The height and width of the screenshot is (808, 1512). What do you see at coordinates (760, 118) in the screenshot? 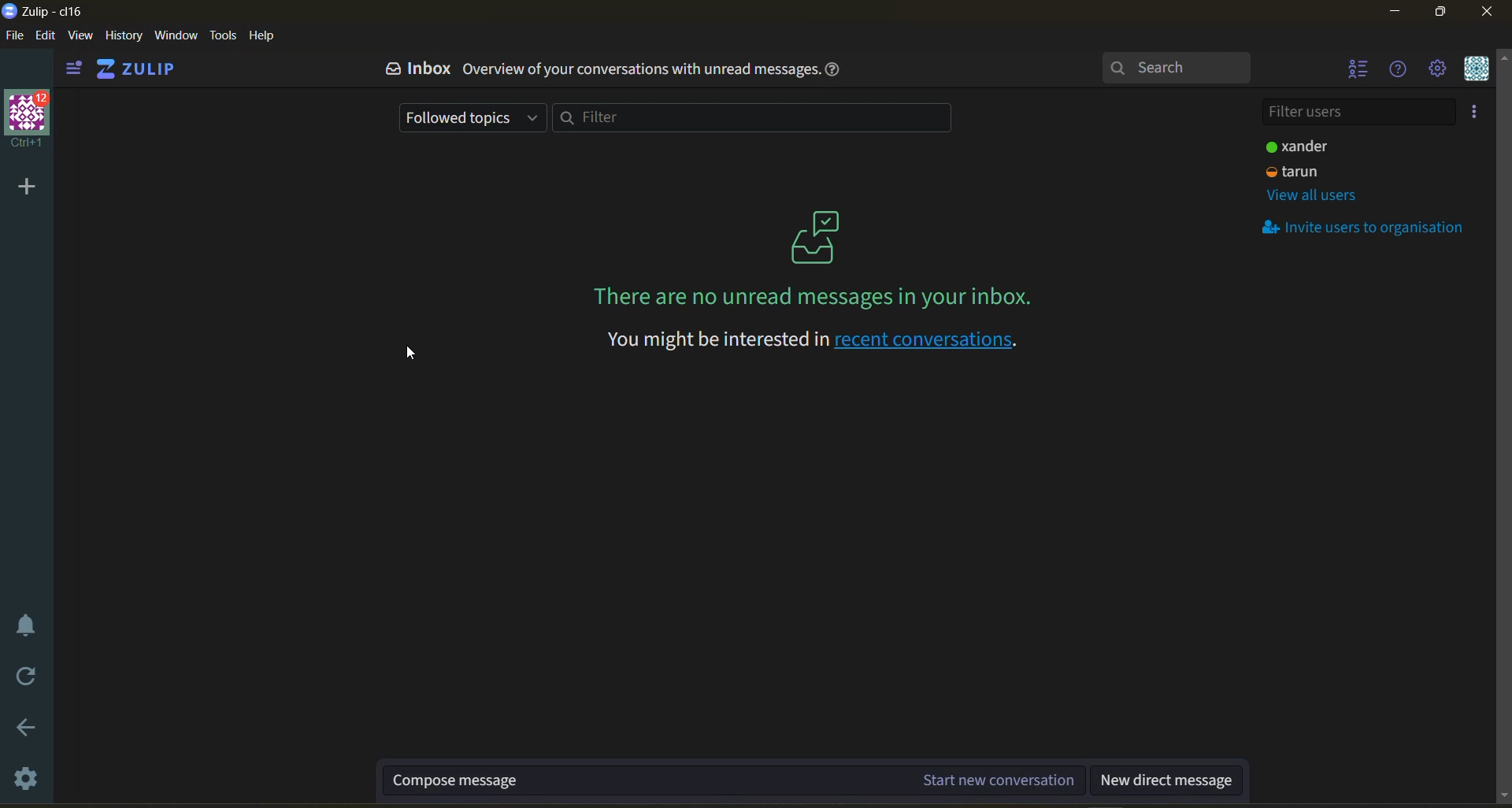
I see `filter` at bounding box center [760, 118].